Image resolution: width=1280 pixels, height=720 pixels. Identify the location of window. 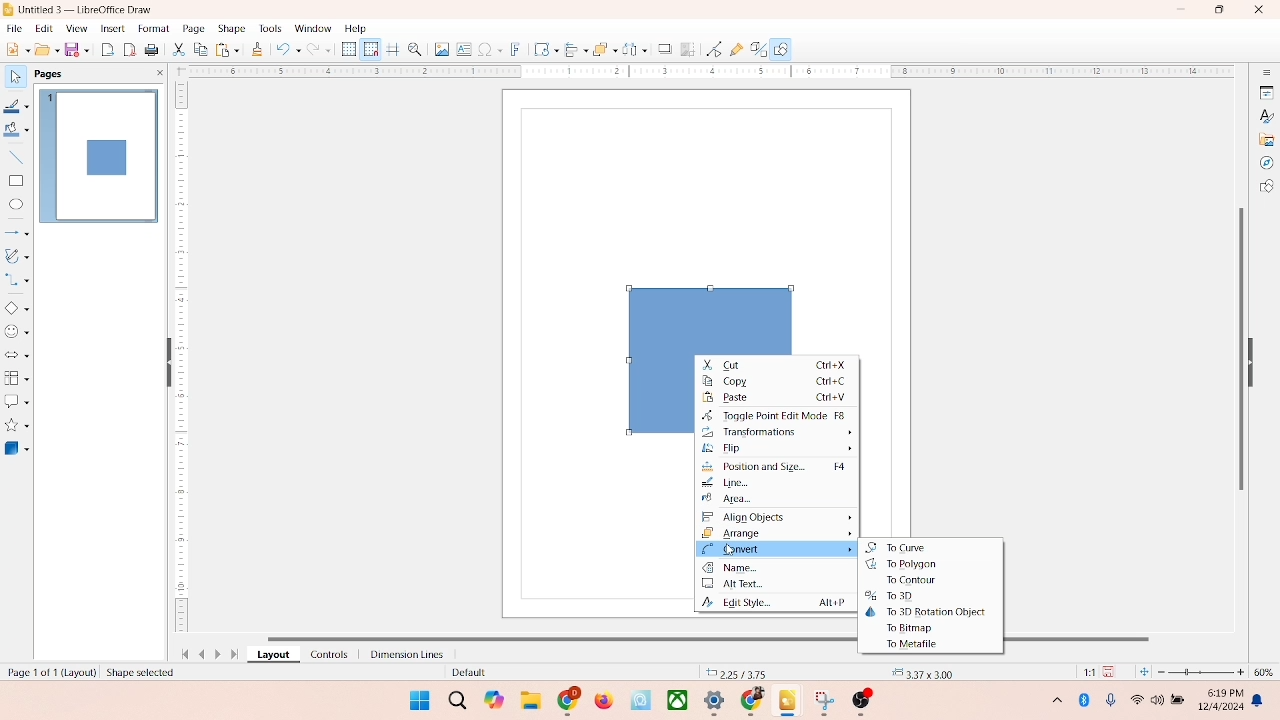
(312, 29).